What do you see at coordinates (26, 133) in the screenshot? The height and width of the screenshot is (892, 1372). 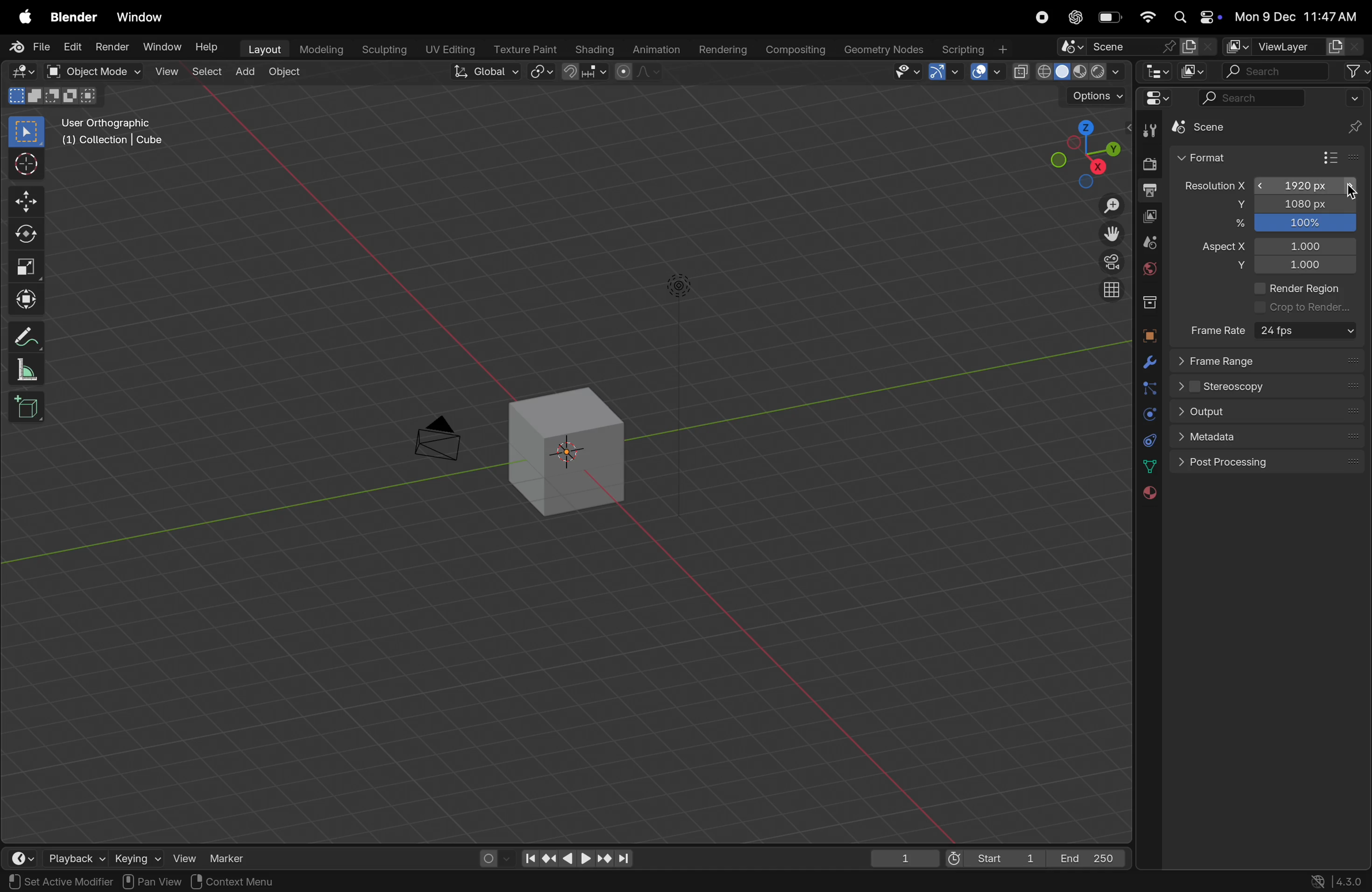 I see `select box` at bounding box center [26, 133].